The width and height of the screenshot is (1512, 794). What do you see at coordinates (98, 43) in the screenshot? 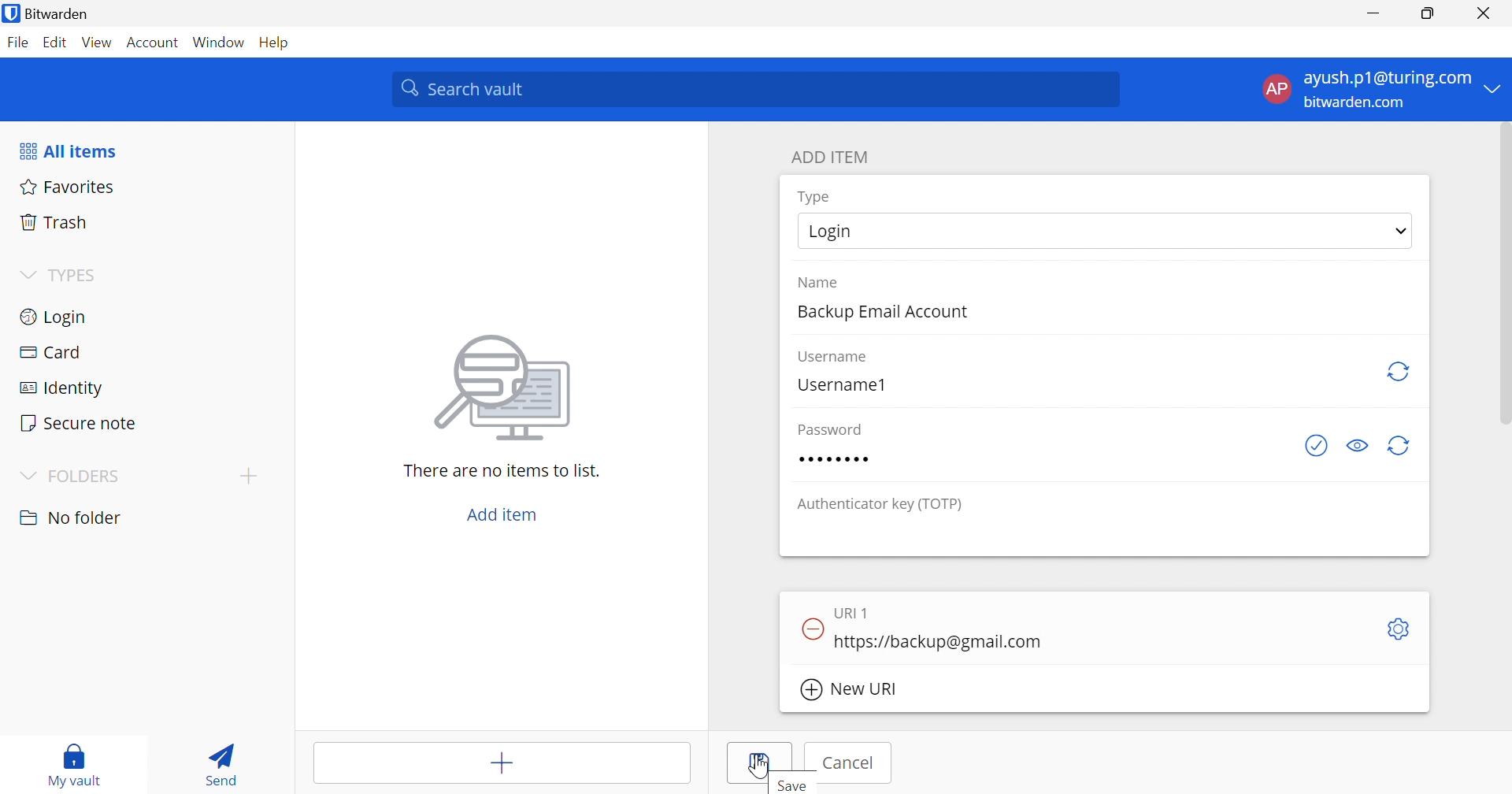
I see `View` at bounding box center [98, 43].